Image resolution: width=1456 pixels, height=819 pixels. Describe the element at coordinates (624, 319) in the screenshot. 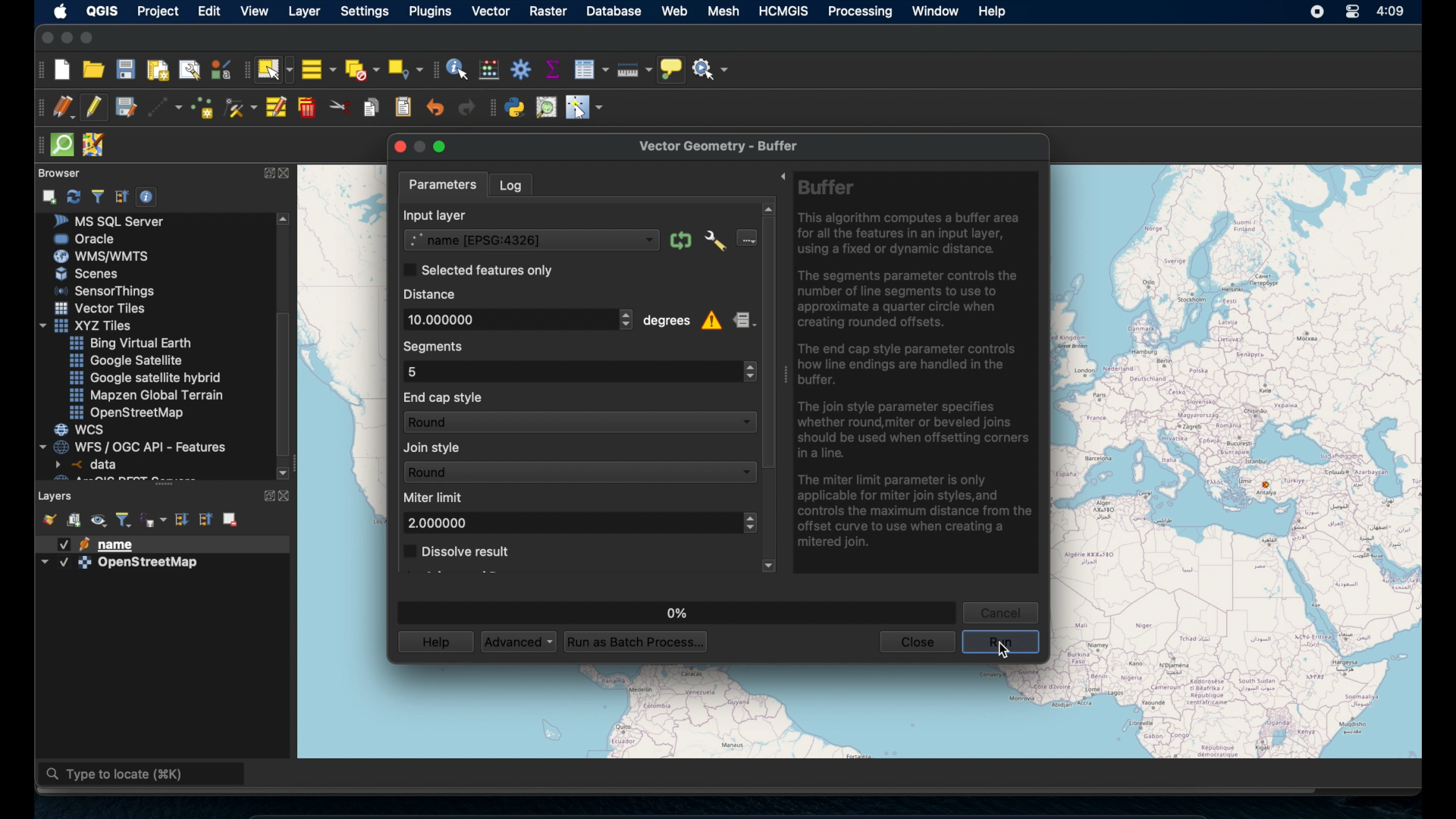

I see `stepper buttons` at that location.